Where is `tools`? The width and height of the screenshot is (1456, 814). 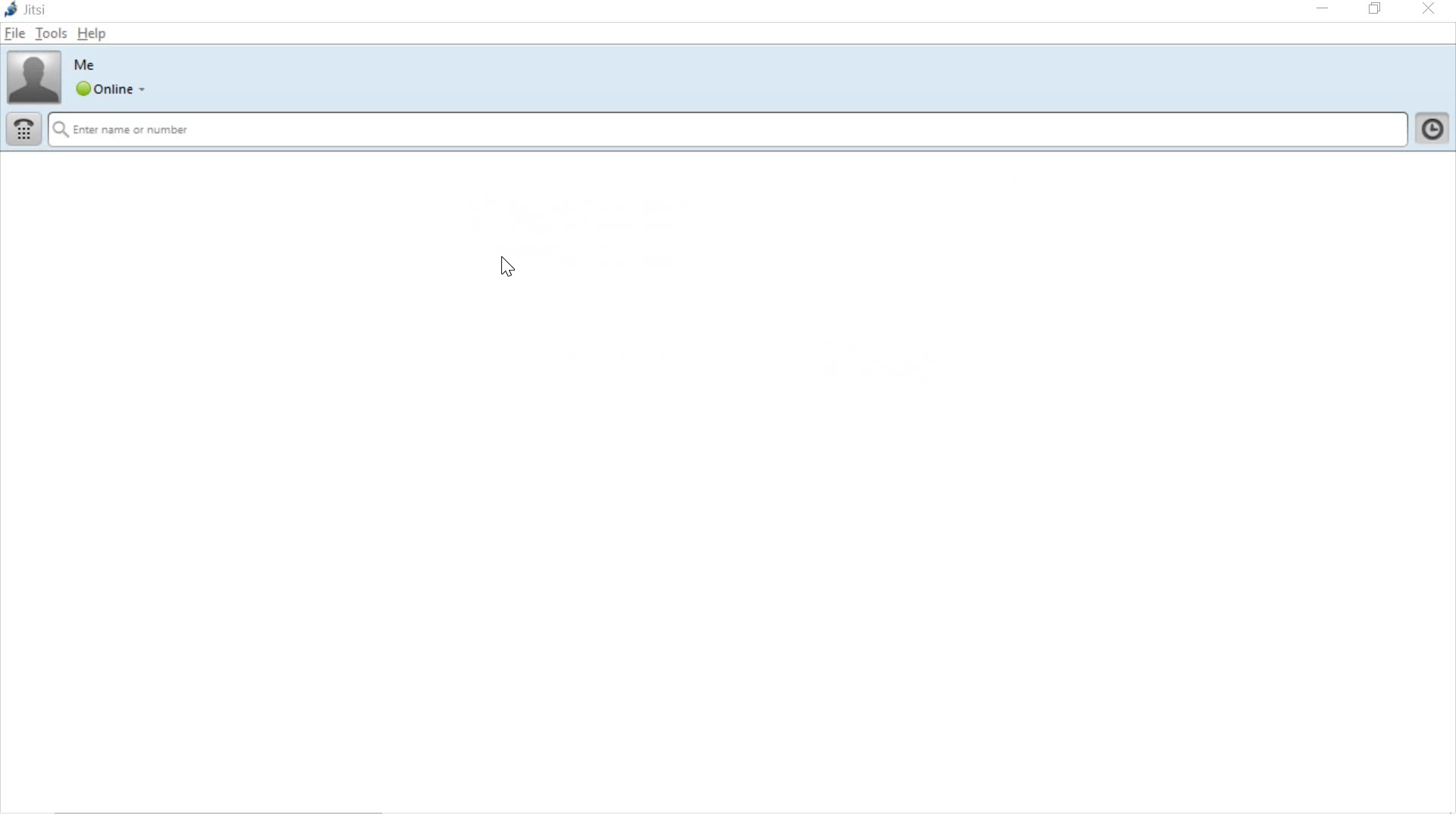
tools is located at coordinates (49, 33).